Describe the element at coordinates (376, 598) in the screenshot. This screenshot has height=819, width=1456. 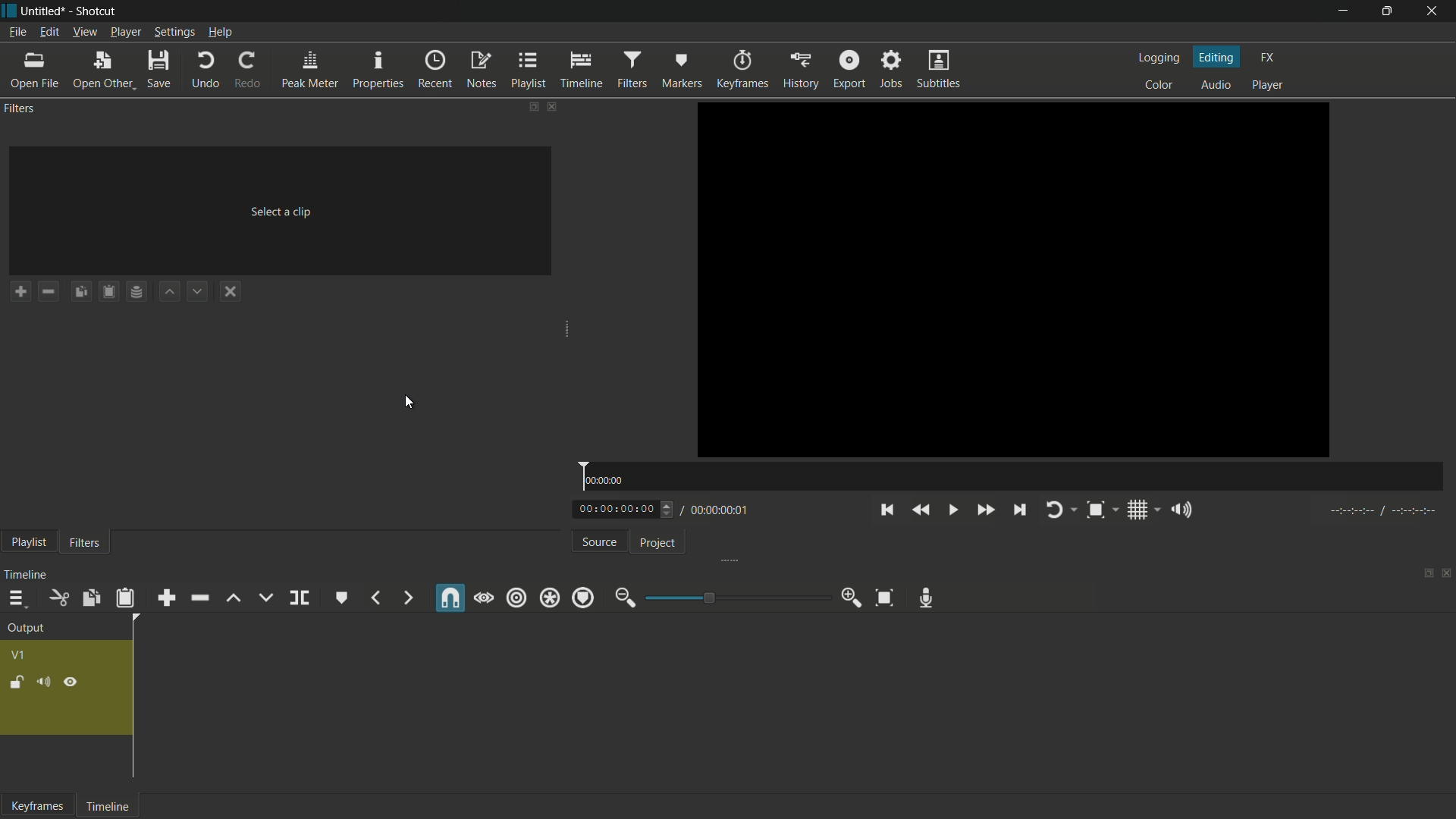
I see `Back` at that location.